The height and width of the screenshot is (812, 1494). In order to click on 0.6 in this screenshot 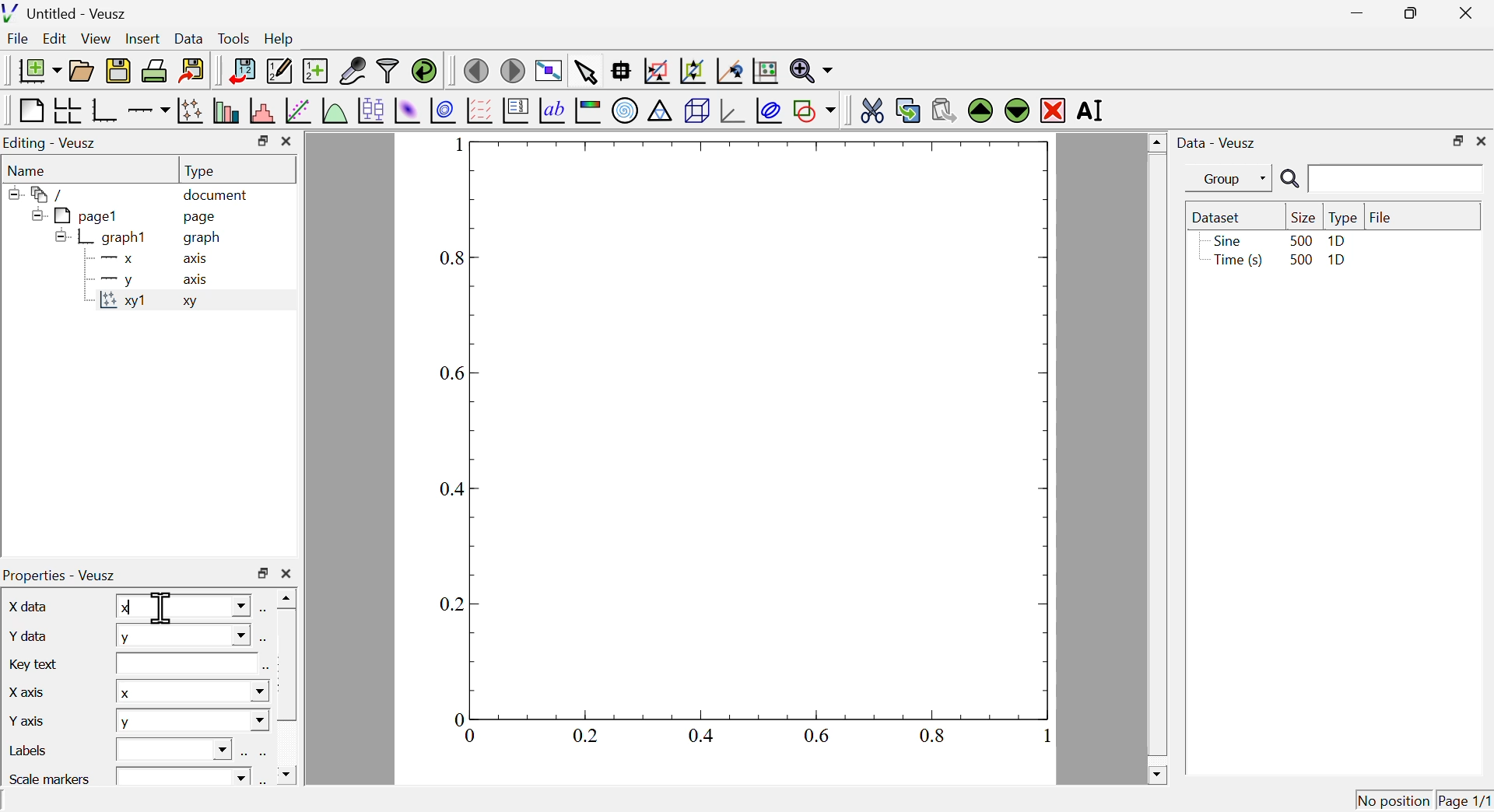, I will do `click(455, 373)`.